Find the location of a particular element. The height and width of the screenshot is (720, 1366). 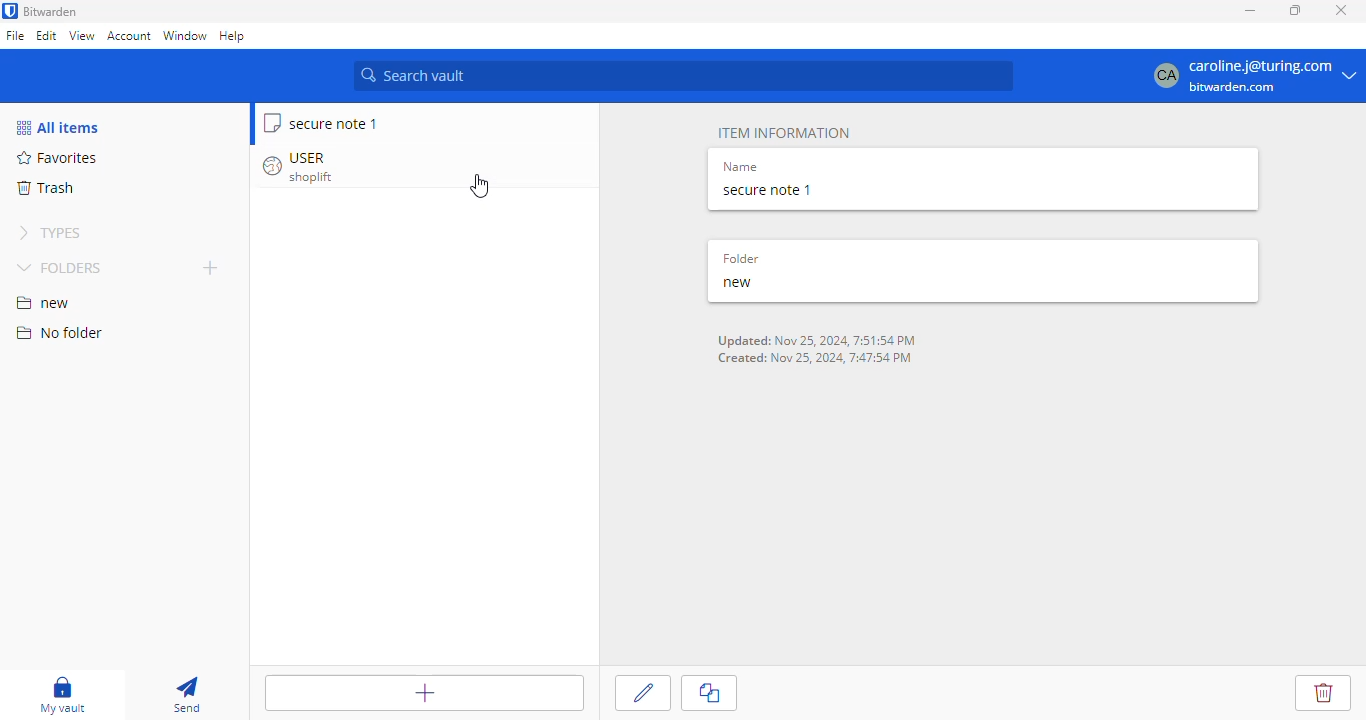

types is located at coordinates (54, 233).